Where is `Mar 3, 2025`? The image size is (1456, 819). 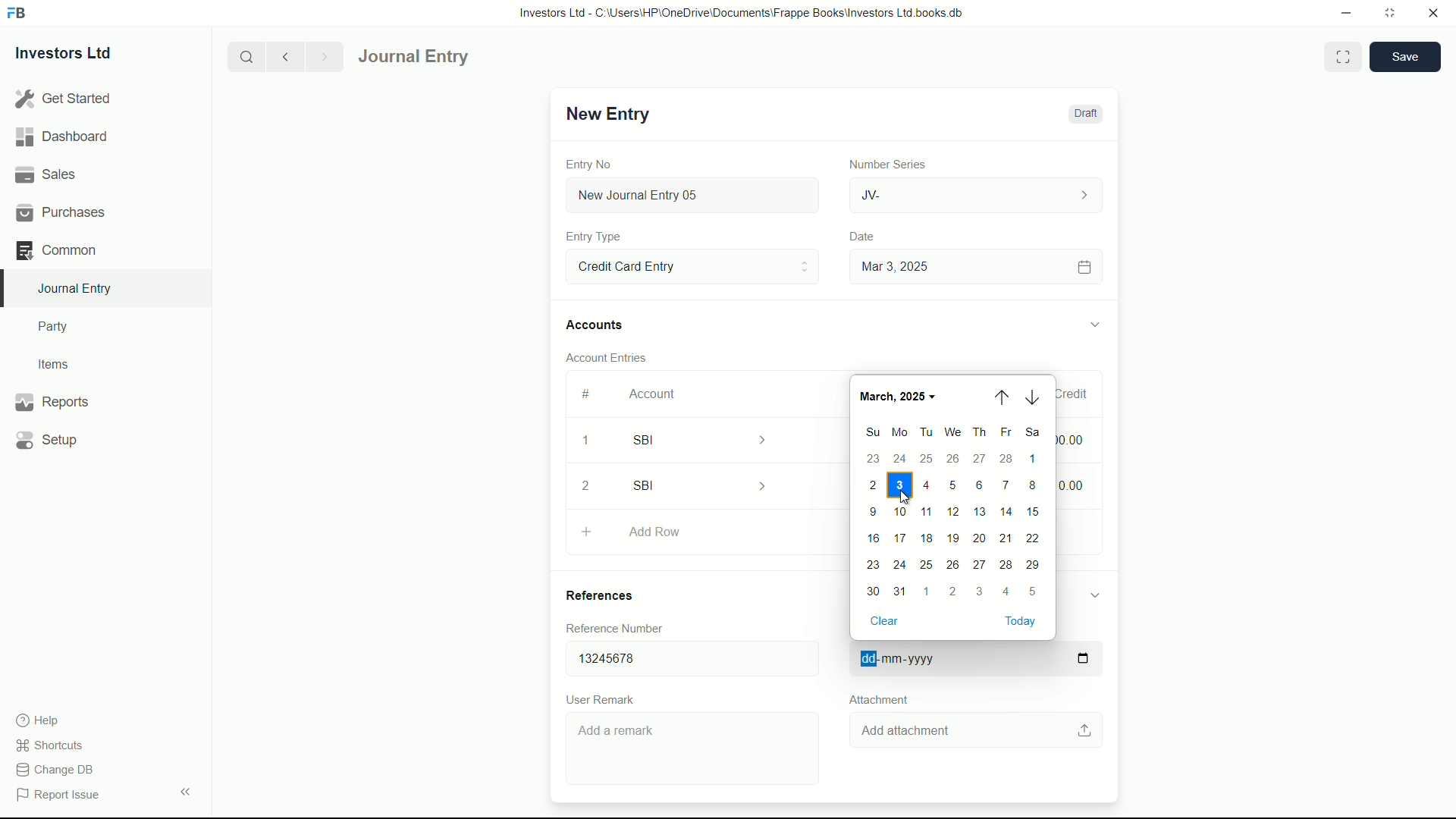
Mar 3, 2025 is located at coordinates (974, 266).